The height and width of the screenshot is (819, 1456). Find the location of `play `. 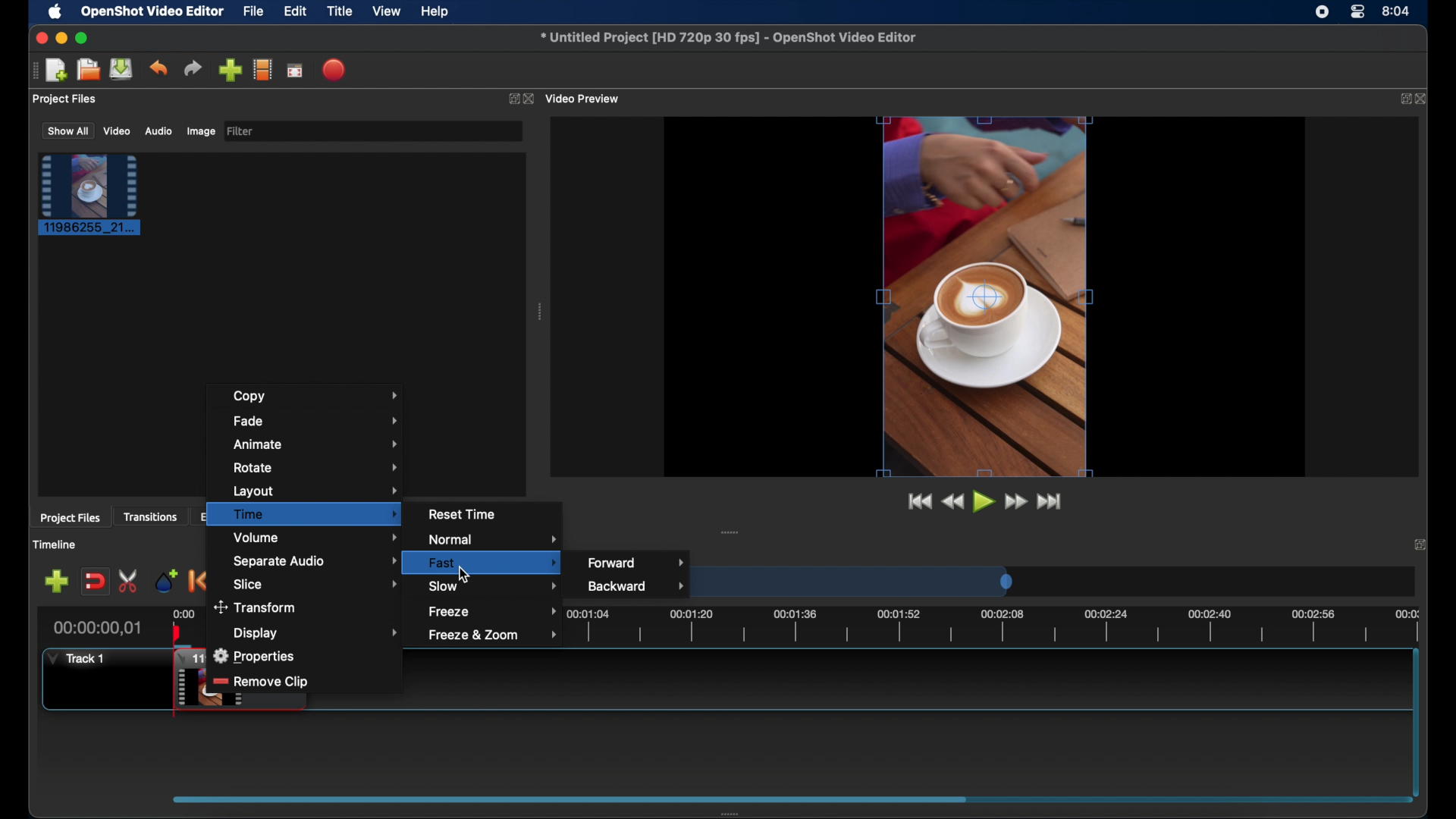

play  is located at coordinates (982, 501).